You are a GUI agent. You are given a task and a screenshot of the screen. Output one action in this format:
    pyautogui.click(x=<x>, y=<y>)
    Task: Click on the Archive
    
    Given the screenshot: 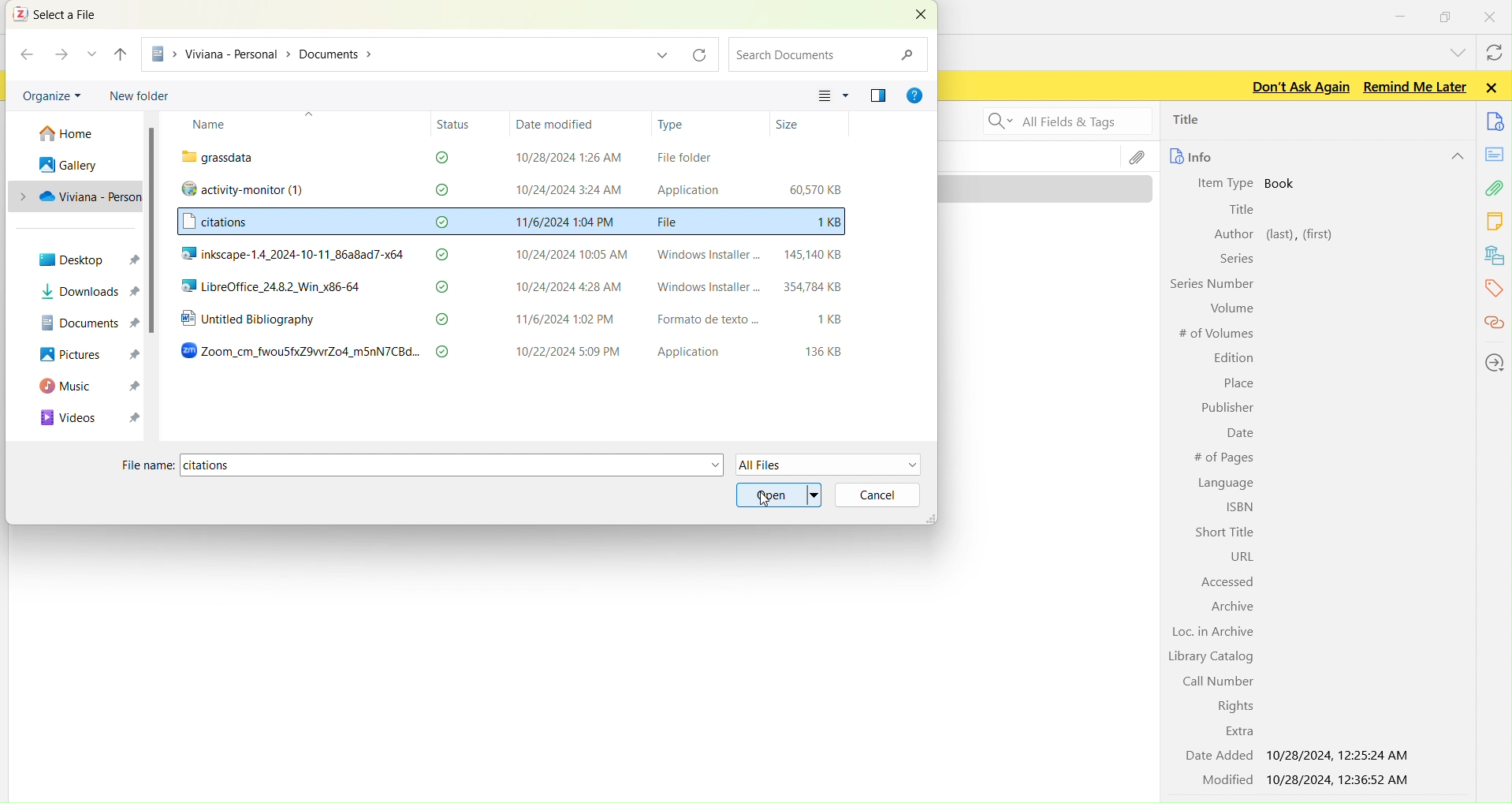 What is the action you would take?
    pyautogui.click(x=1233, y=606)
    